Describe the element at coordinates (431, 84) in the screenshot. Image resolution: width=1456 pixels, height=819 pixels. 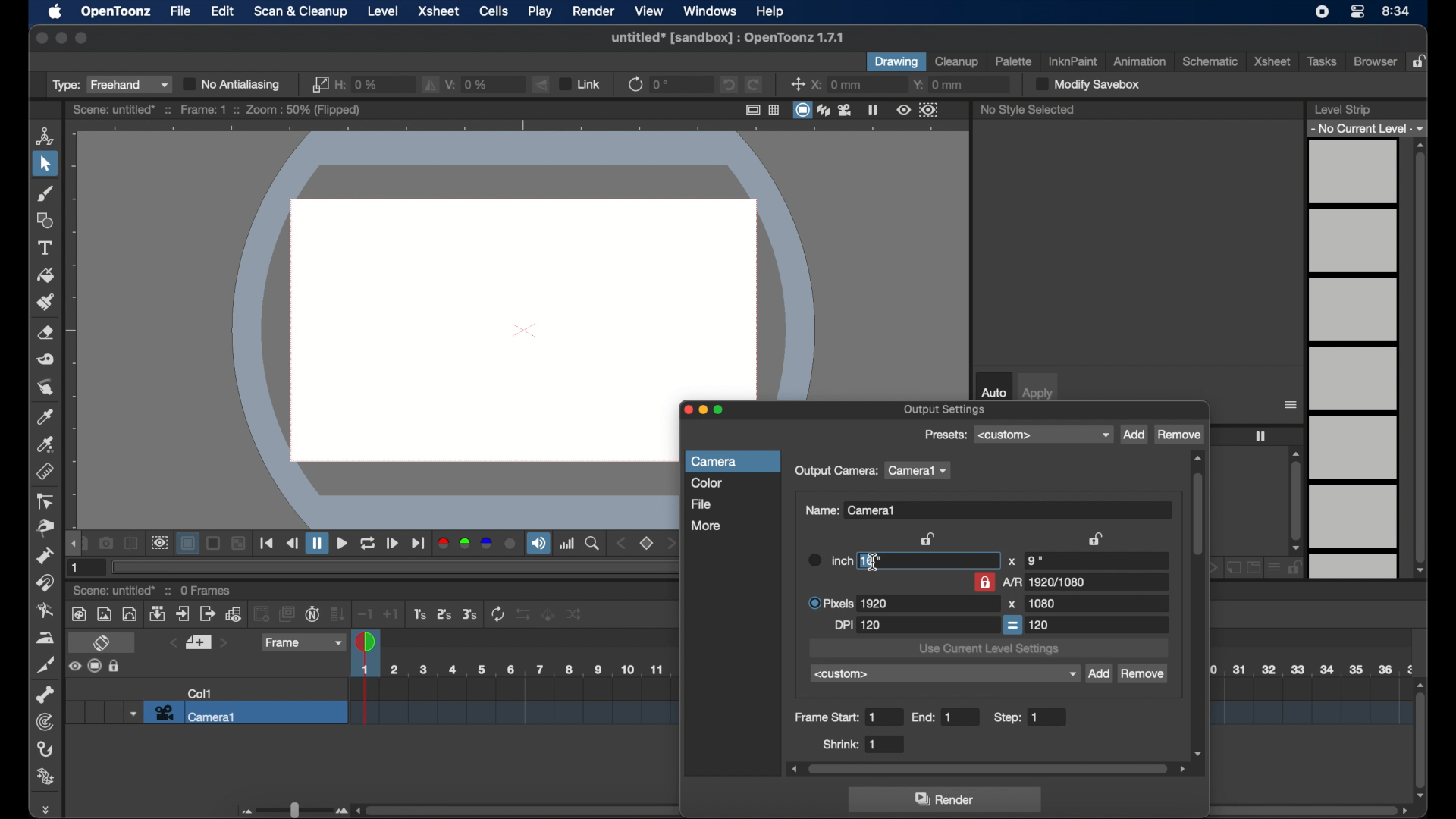
I see `fill horizontally` at that location.